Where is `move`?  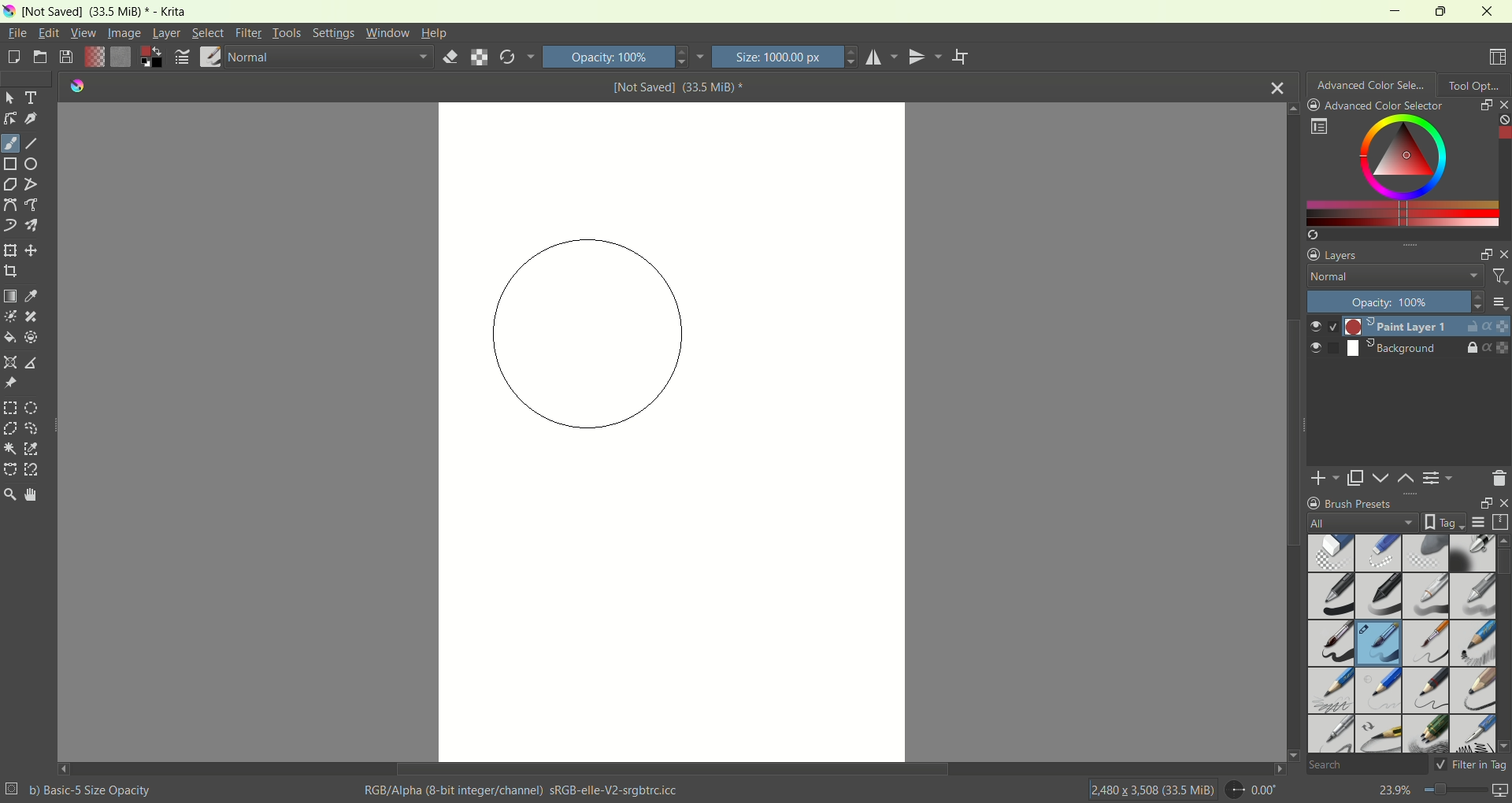 move is located at coordinates (31, 250).